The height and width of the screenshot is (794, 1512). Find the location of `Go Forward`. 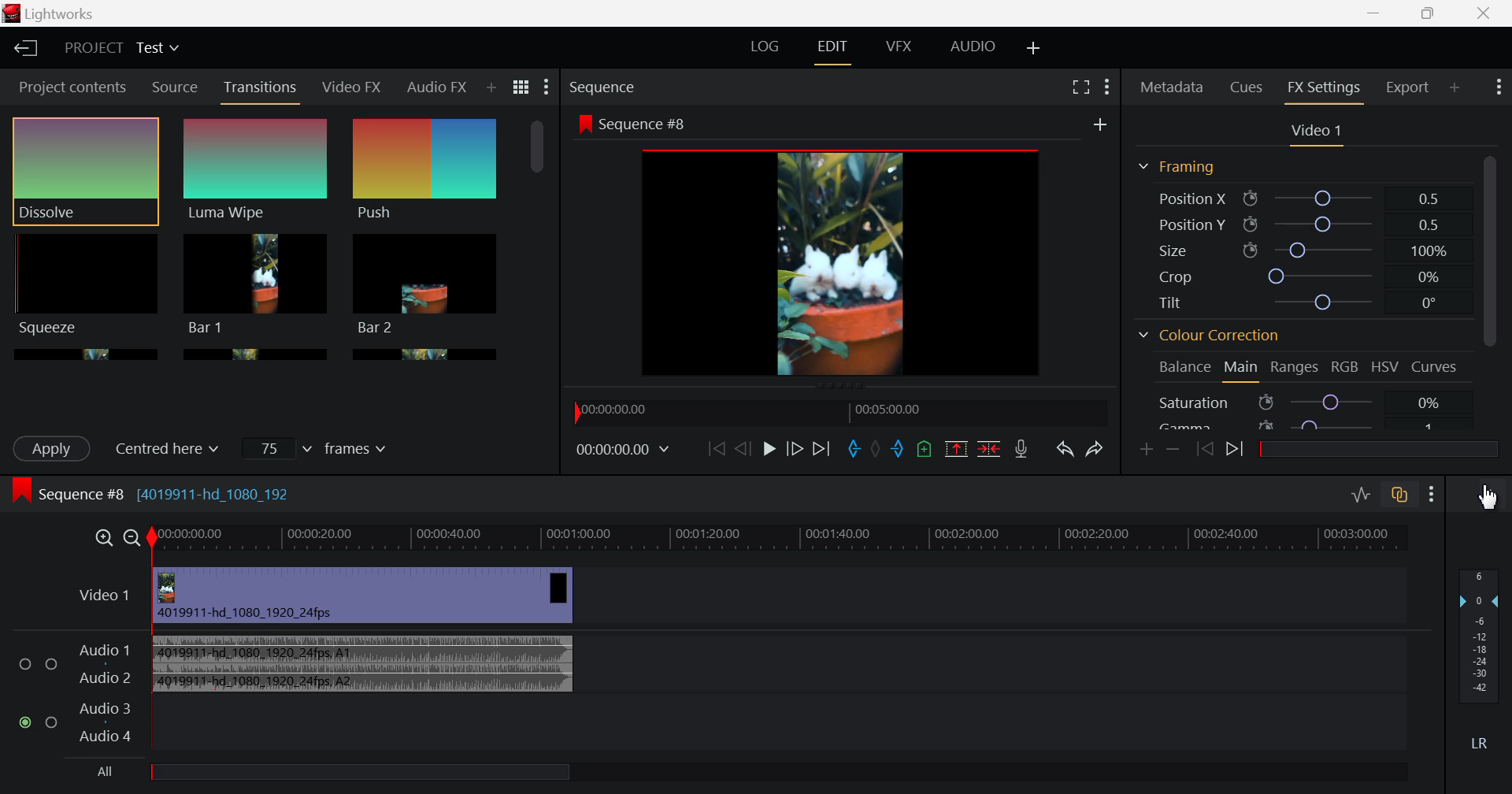

Go Forward is located at coordinates (795, 448).